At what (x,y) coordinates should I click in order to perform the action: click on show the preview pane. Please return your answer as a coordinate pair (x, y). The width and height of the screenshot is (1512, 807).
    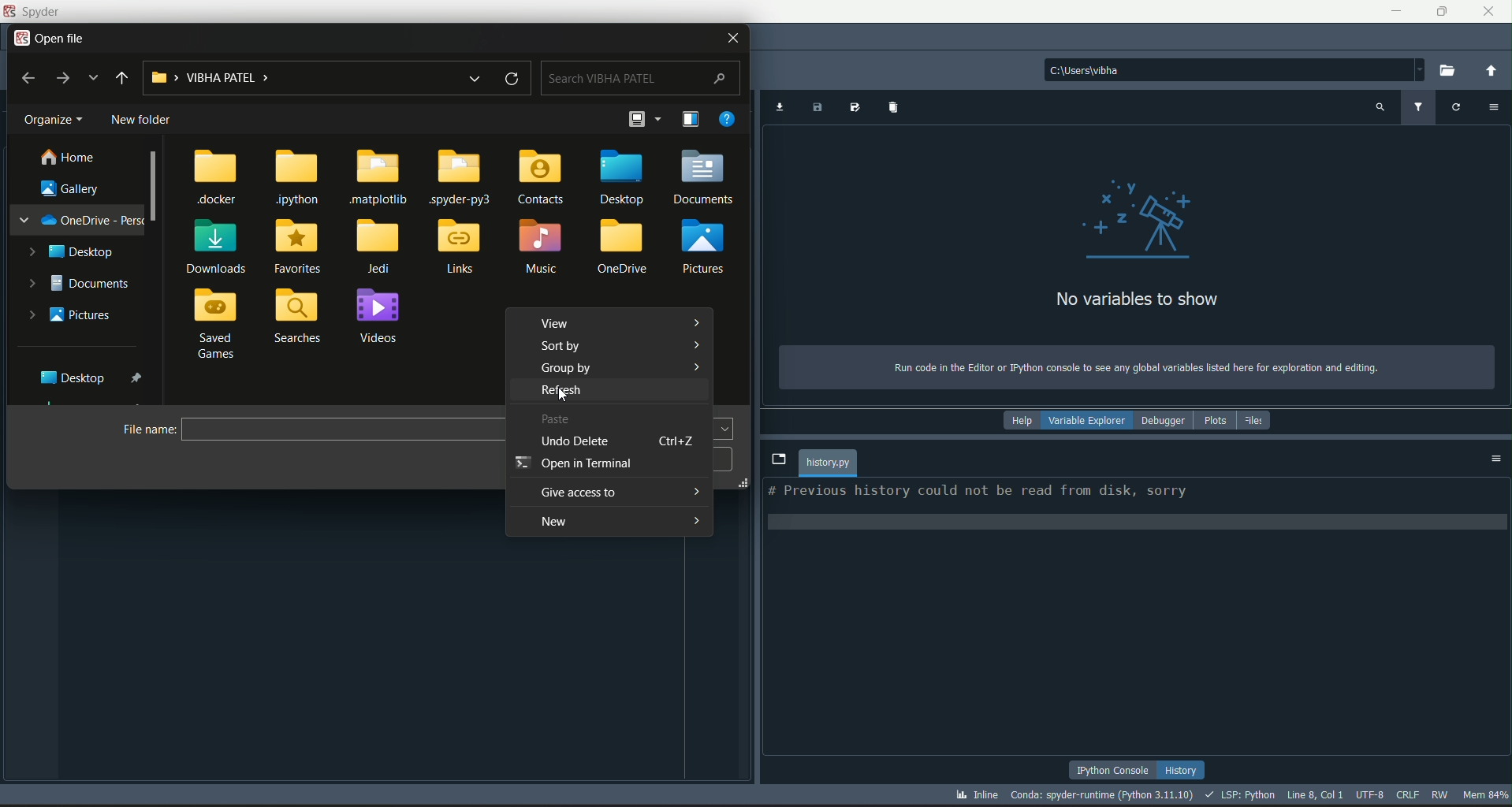
    Looking at the image, I should click on (691, 118).